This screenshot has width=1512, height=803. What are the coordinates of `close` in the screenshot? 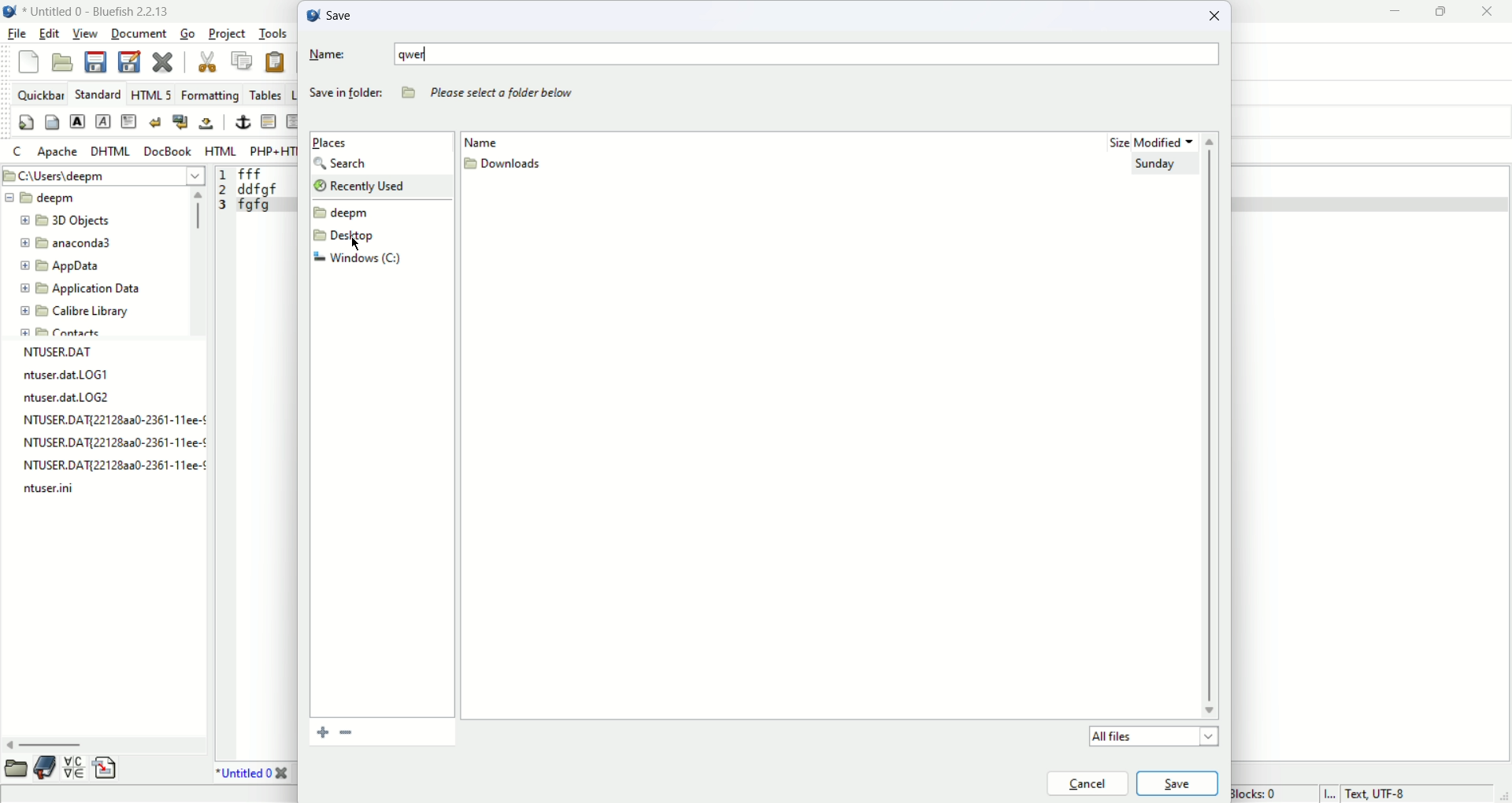 It's located at (1486, 16).